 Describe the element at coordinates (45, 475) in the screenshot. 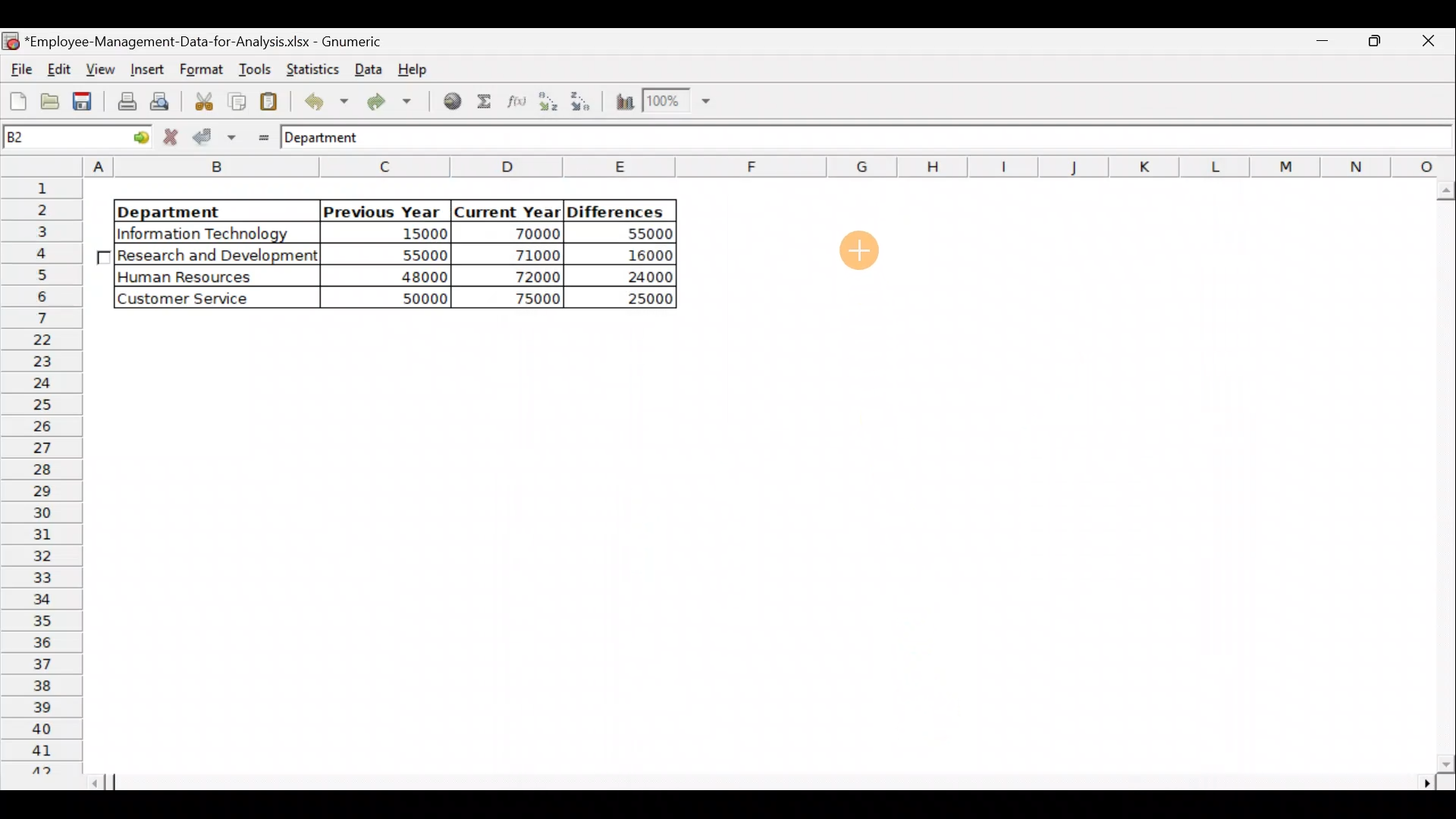

I see `Rows` at that location.